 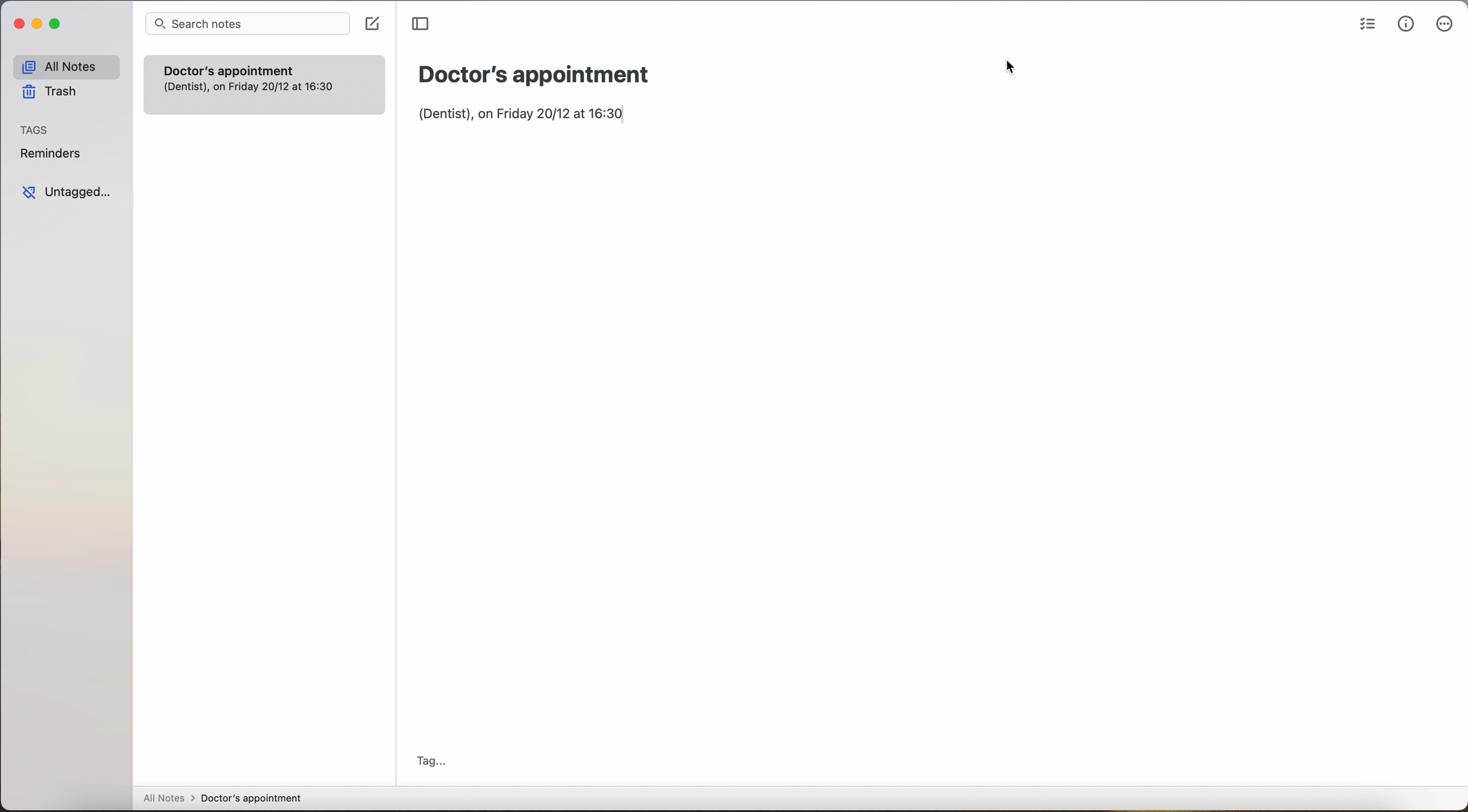 What do you see at coordinates (372, 24) in the screenshot?
I see `create note` at bounding box center [372, 24].